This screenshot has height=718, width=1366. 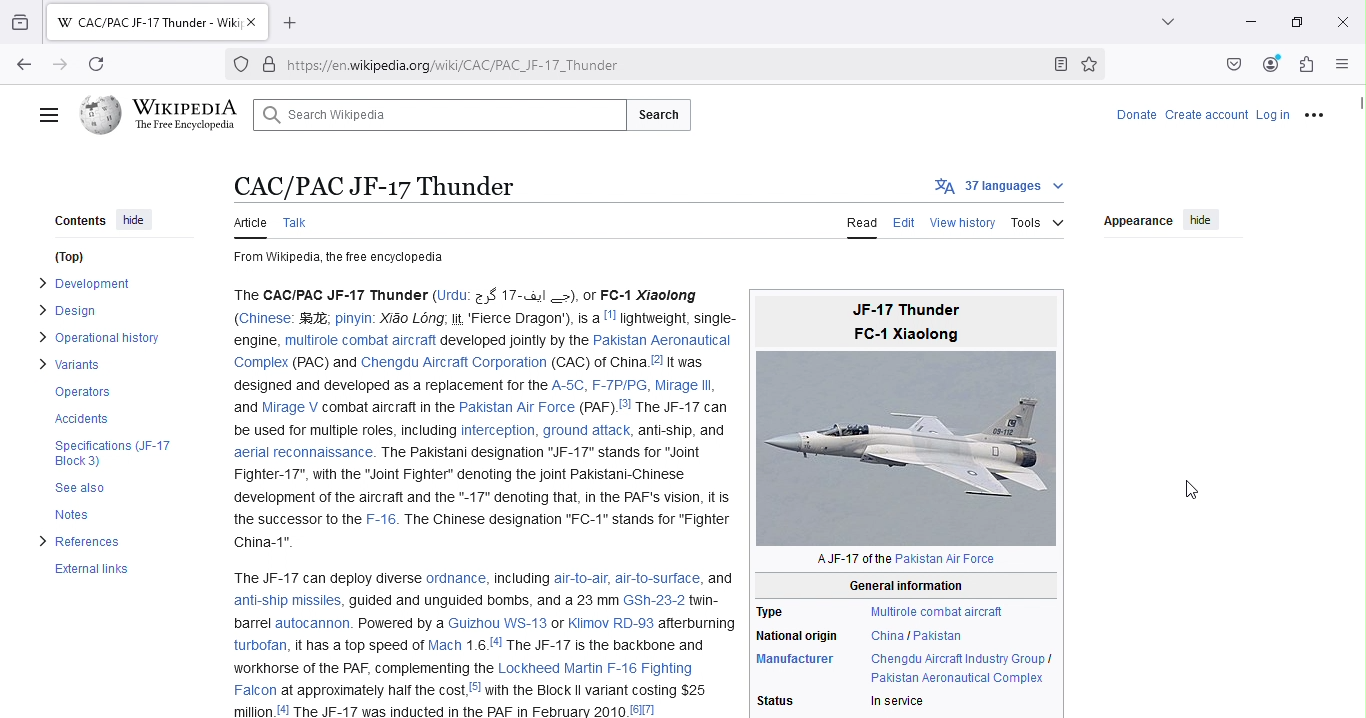 What do you see at coordinates (304, 220) in the screenshot?
I see `talk` at bounding box center [304, 220].